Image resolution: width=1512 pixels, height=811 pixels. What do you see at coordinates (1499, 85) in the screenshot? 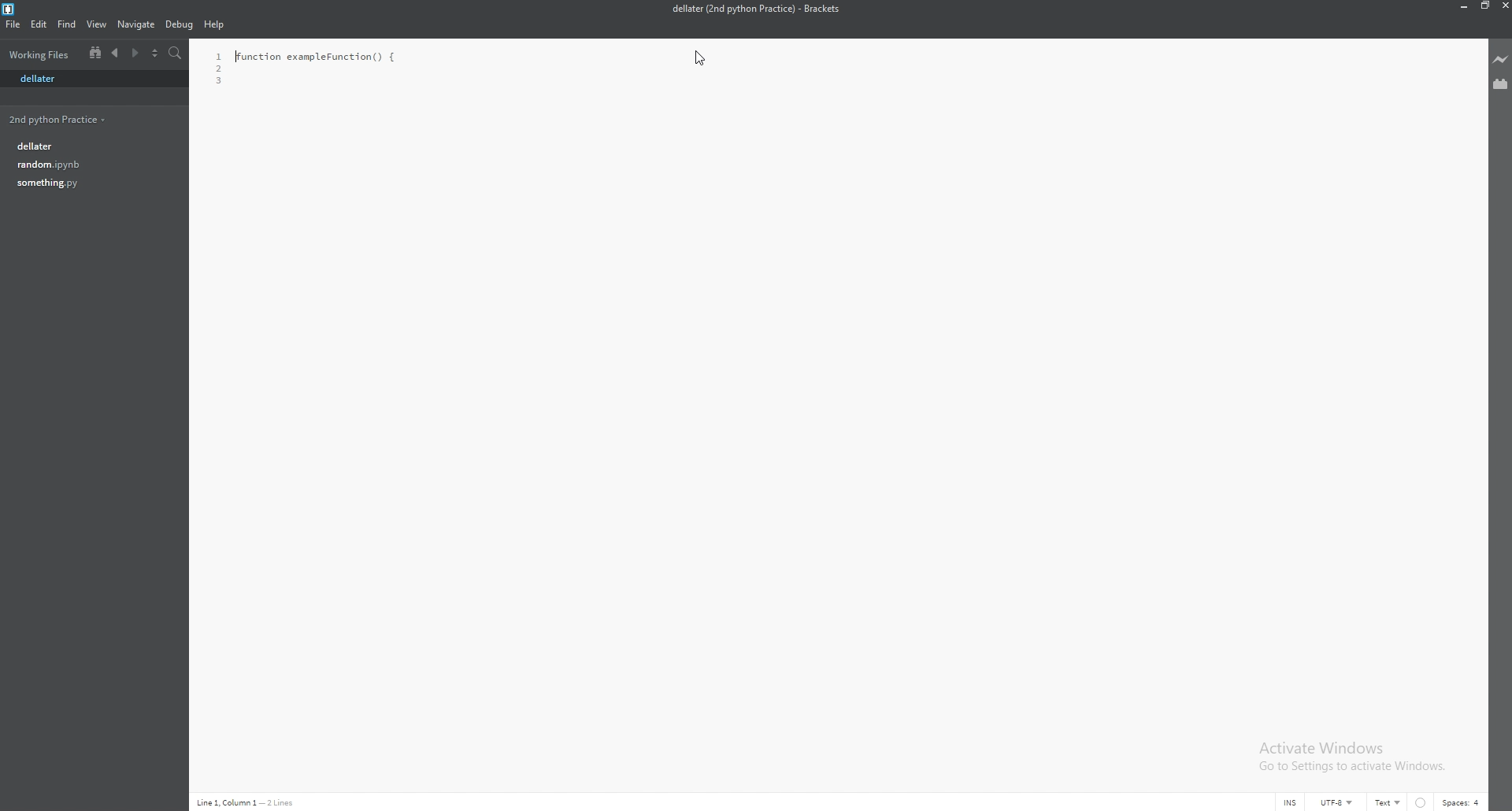
I see `extension manager` at bounding box center [1499, 85].